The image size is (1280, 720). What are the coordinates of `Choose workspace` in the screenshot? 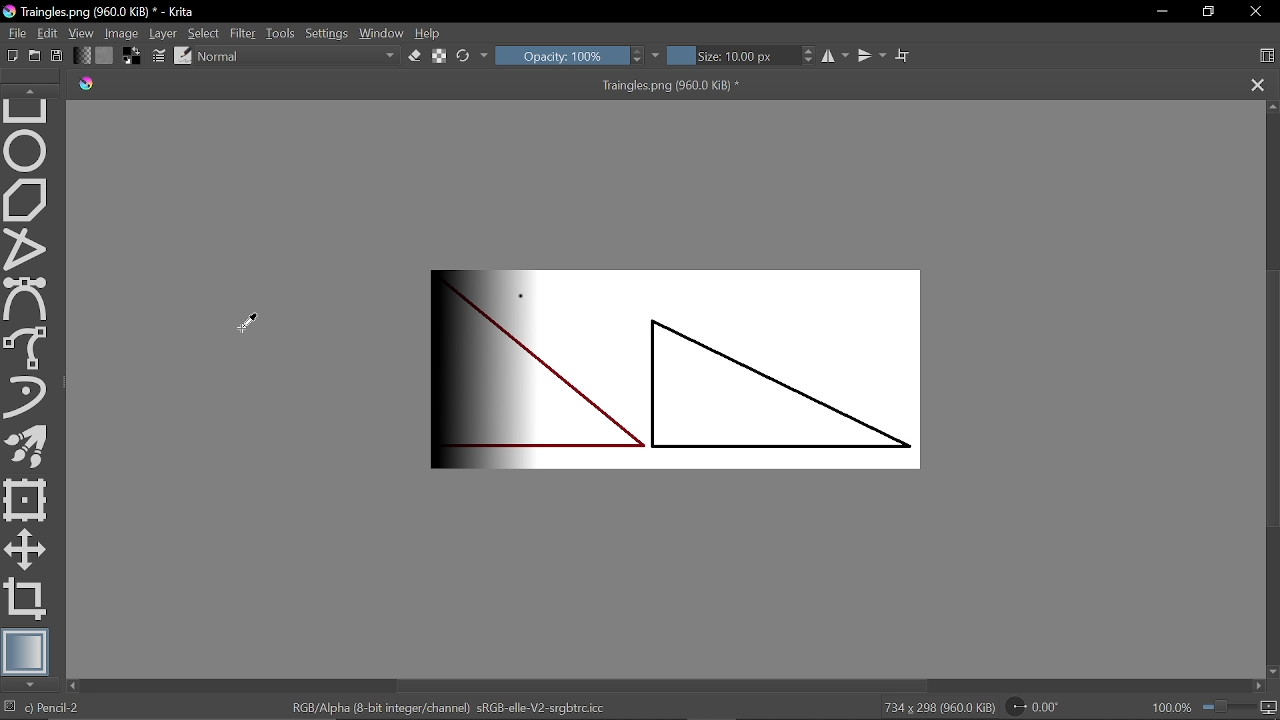 It's located at (1267, 55).